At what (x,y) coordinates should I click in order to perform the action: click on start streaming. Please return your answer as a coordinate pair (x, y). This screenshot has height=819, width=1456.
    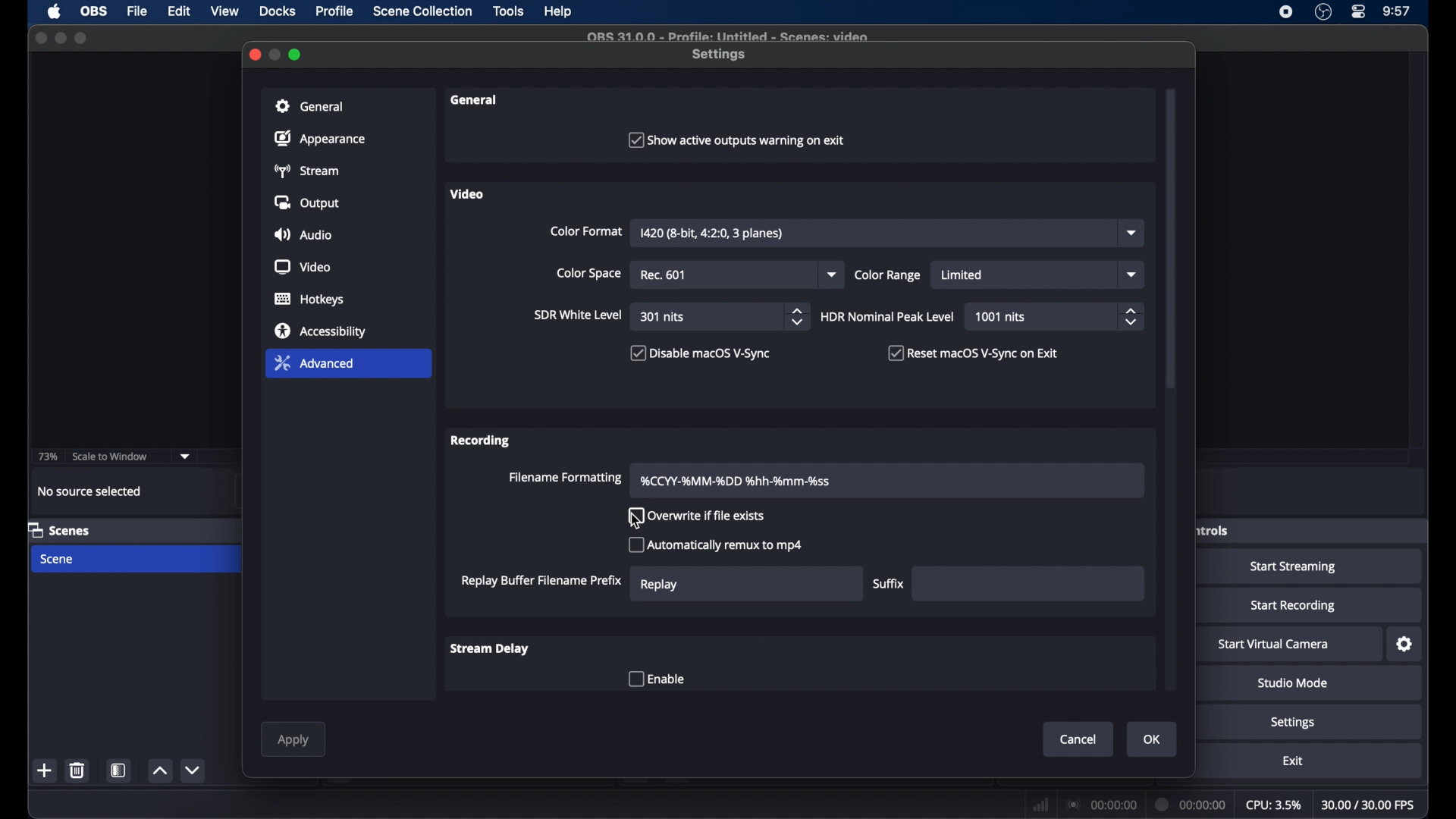
    Looking at the image, I should click on (1296, 567).